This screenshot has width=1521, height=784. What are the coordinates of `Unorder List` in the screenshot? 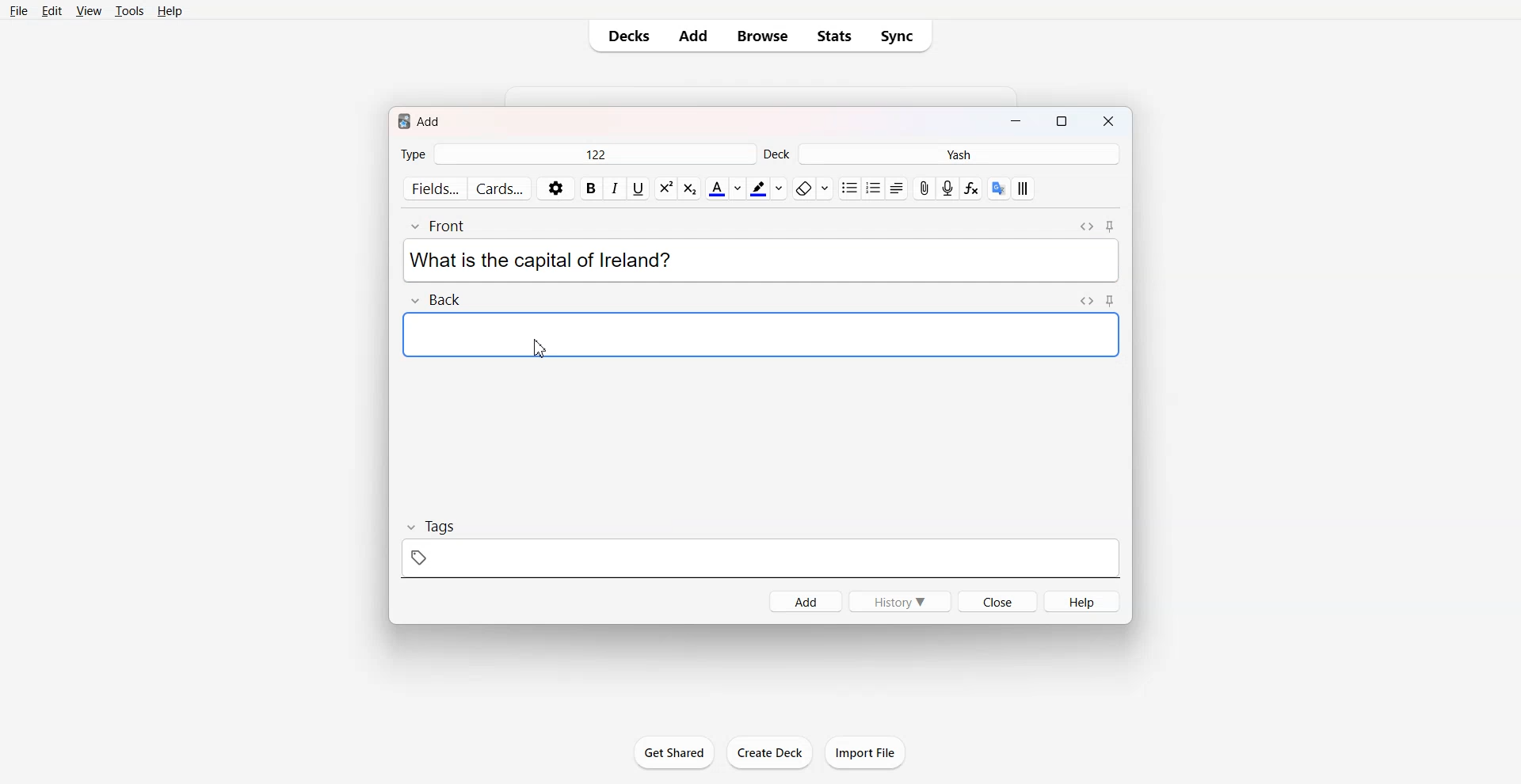 It's located at (848, 188).